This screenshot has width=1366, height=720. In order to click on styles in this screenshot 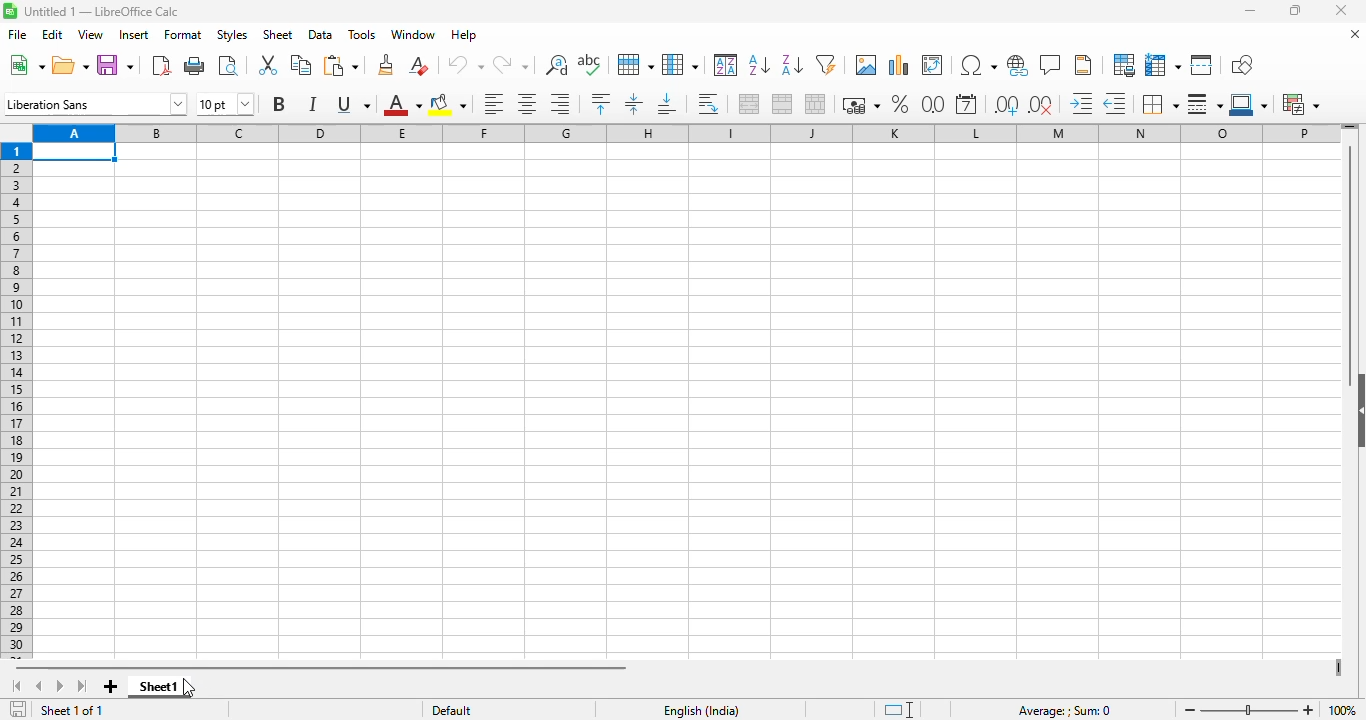, I will do `click(232, 34)`.